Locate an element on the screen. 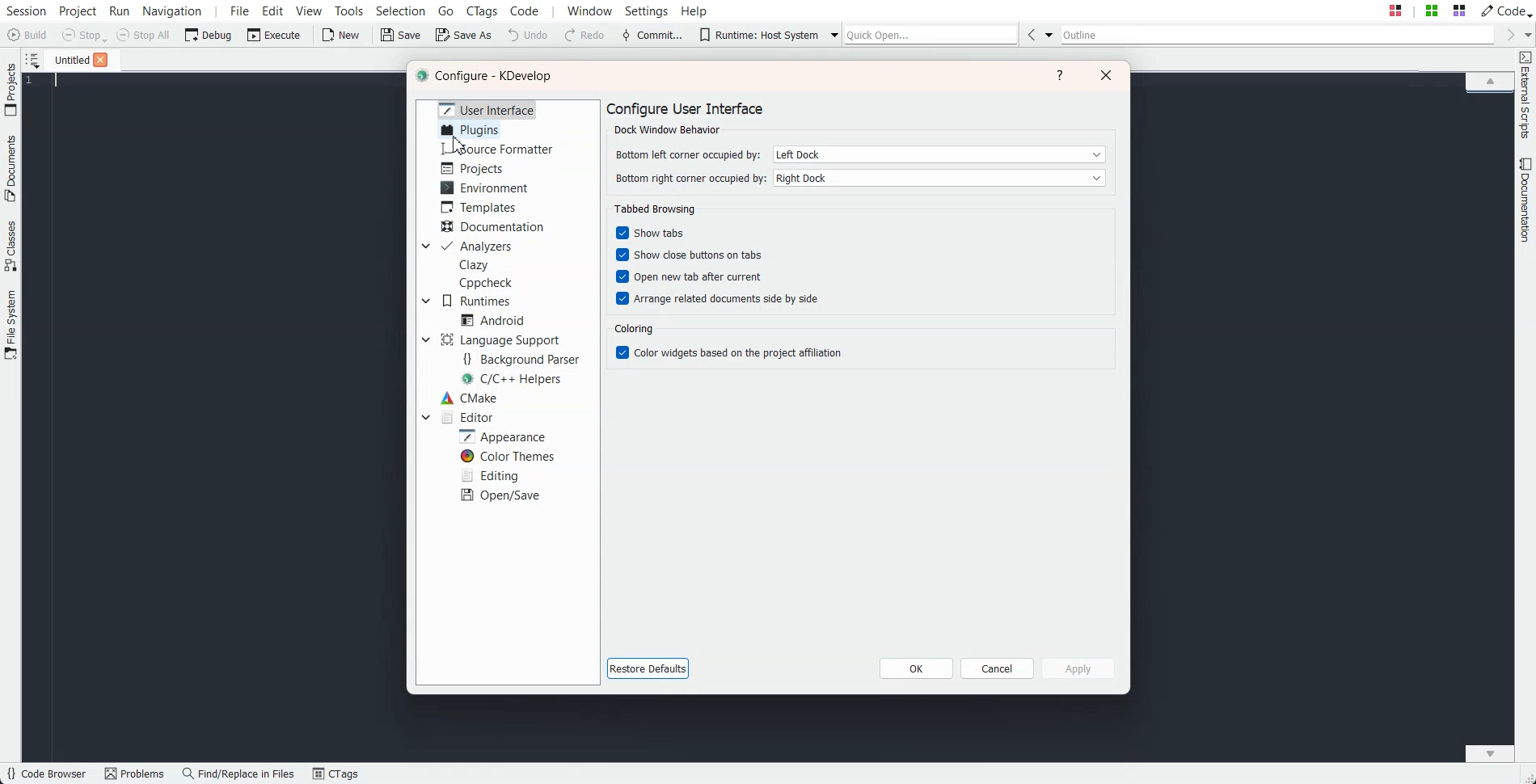 This screenshot has width=1536, height=784. Background Parser is located at coordinates (521, 358).